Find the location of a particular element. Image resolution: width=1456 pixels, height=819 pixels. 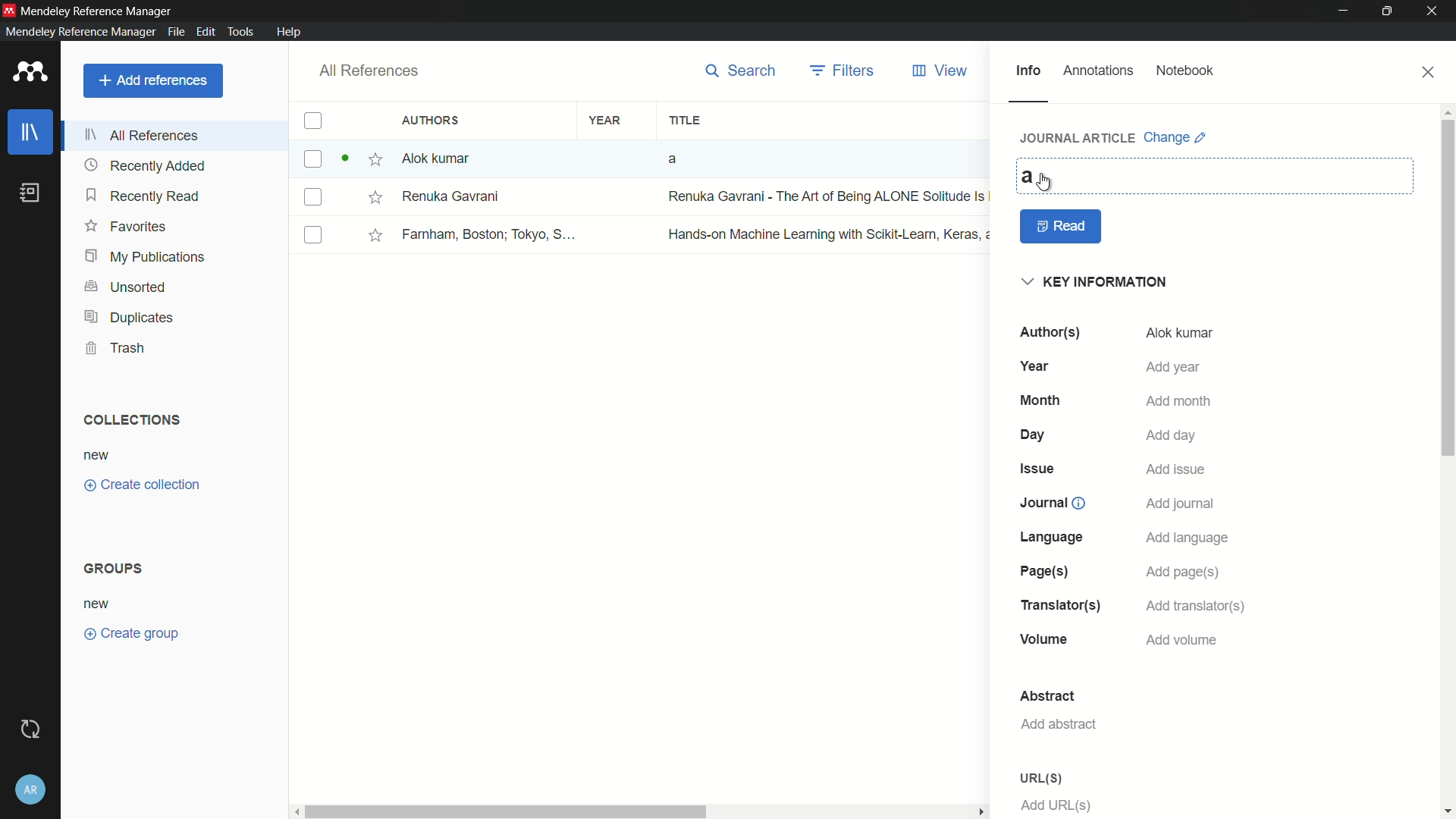

change is located at coordinates (1175, 137).